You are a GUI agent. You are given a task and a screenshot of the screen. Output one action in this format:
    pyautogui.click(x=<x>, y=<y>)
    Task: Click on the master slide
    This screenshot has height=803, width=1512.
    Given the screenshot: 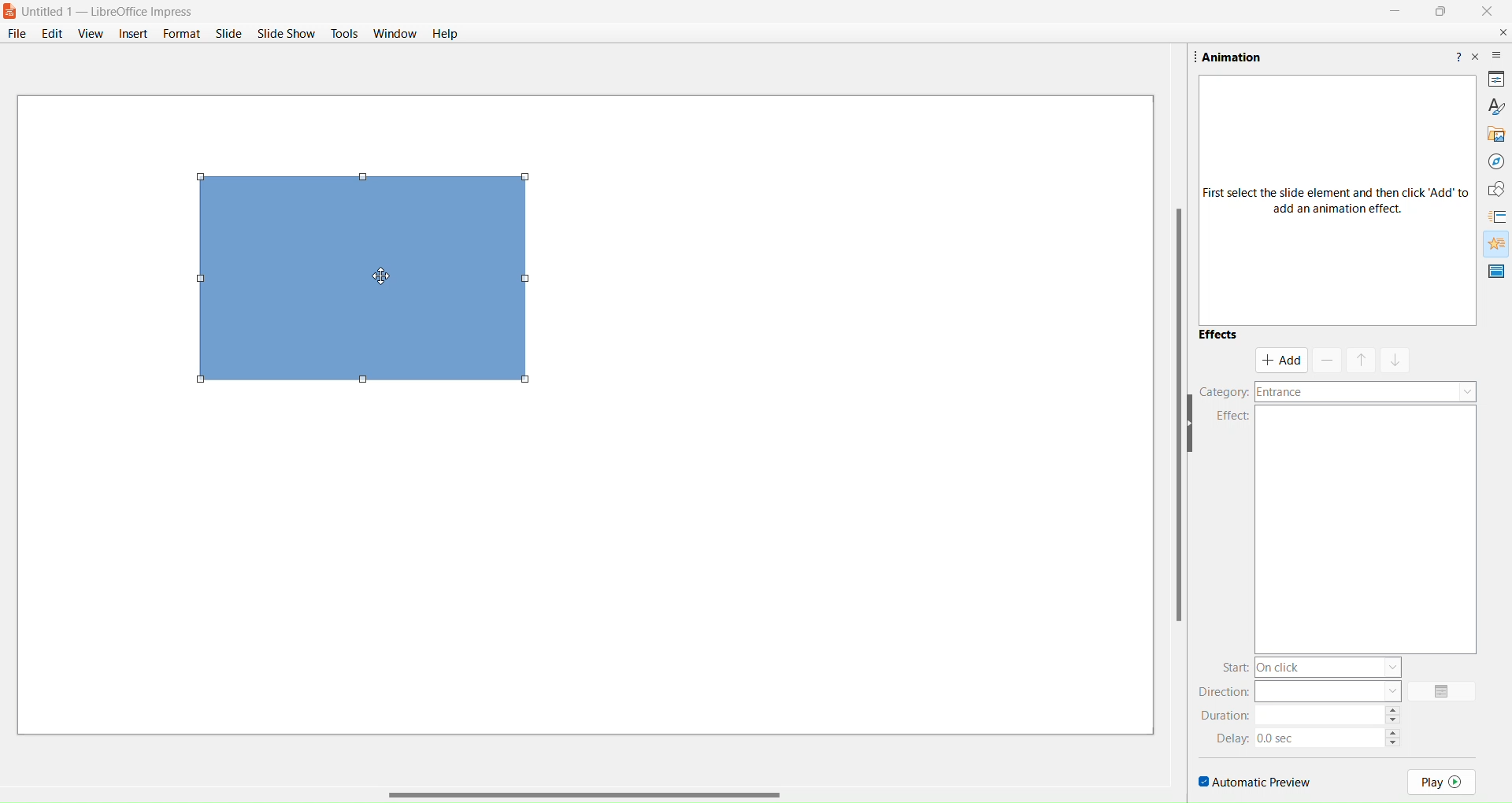 What is the action you would take?
    pyautogui.click(x=1495, y=272)
    